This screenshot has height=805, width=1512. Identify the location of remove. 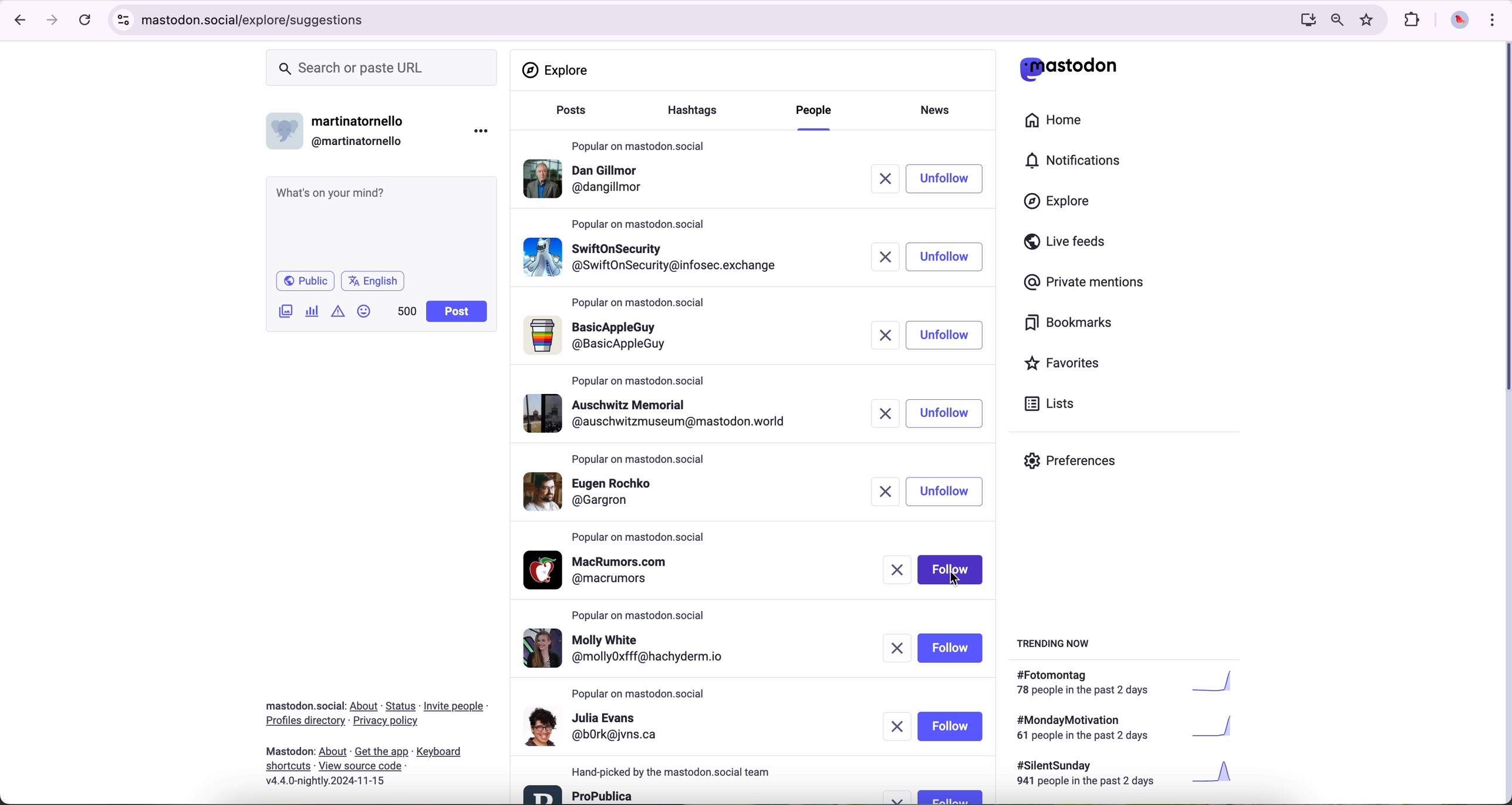
(899, 726).